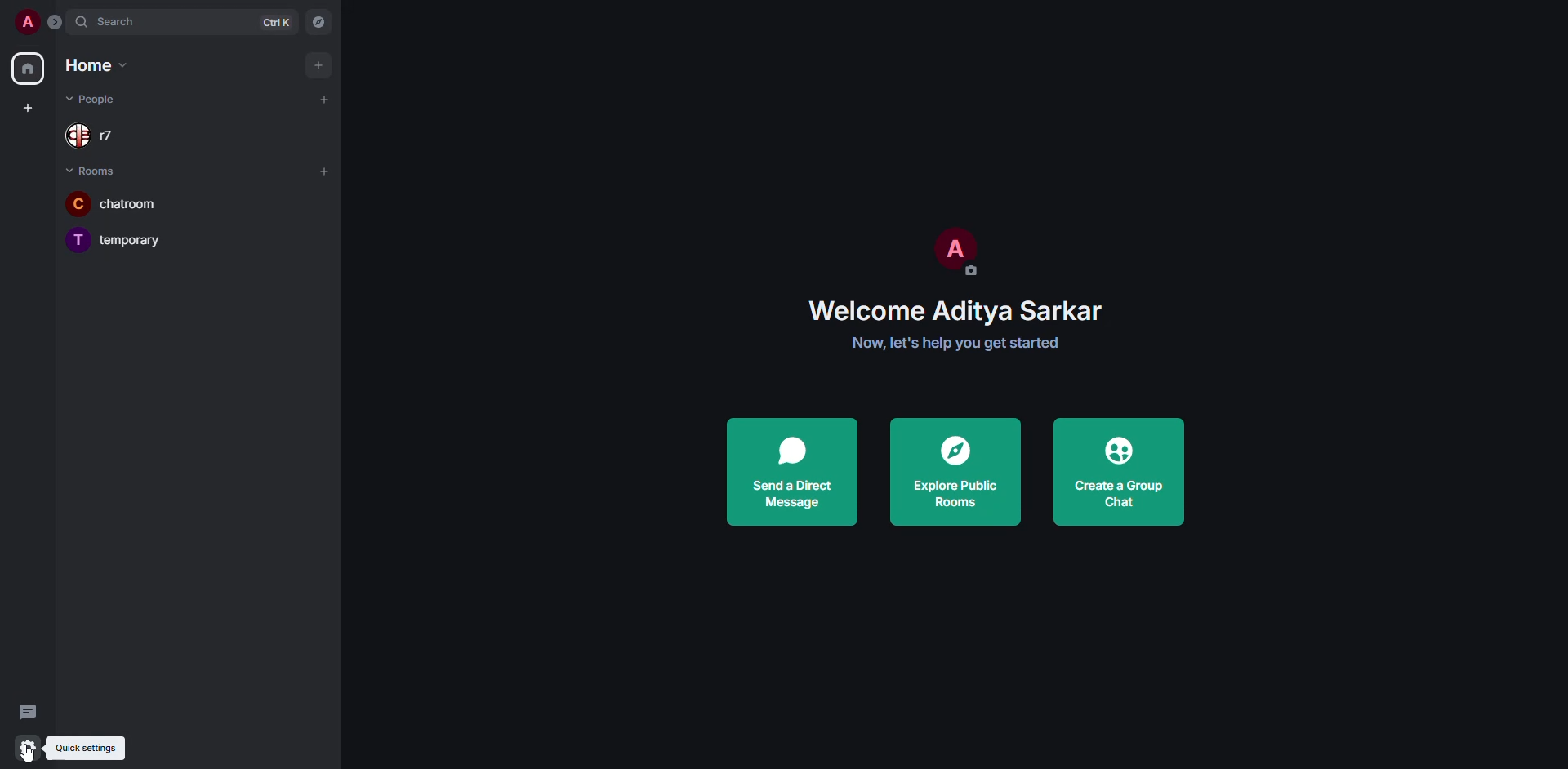  What do you see at coordinates (318, 21) in the screenshot?
I see `navigator` at bounding box center [318, 21].